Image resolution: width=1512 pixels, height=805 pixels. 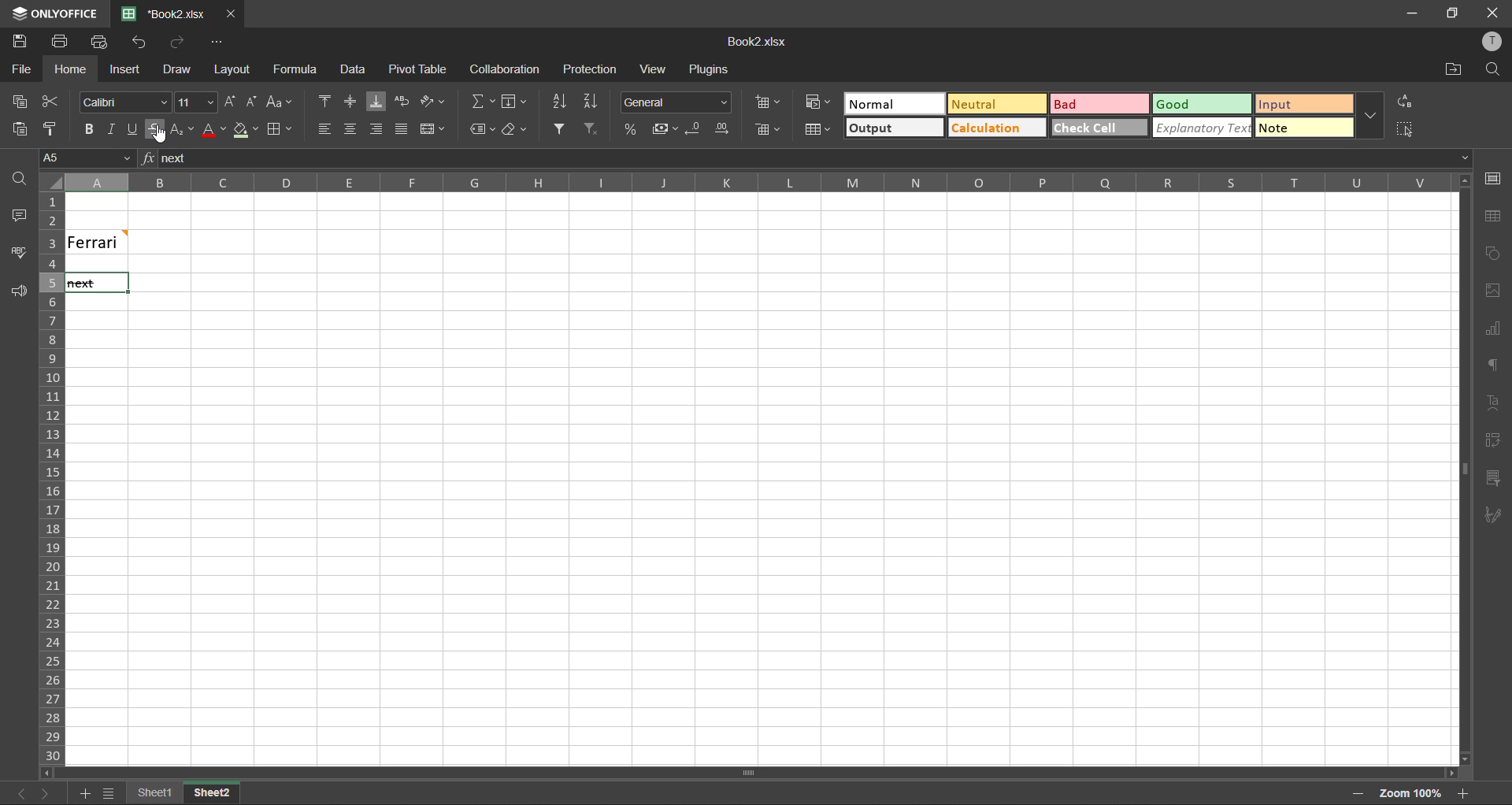 I want to click on Book2.xlsx, so click(x=167, y=13).